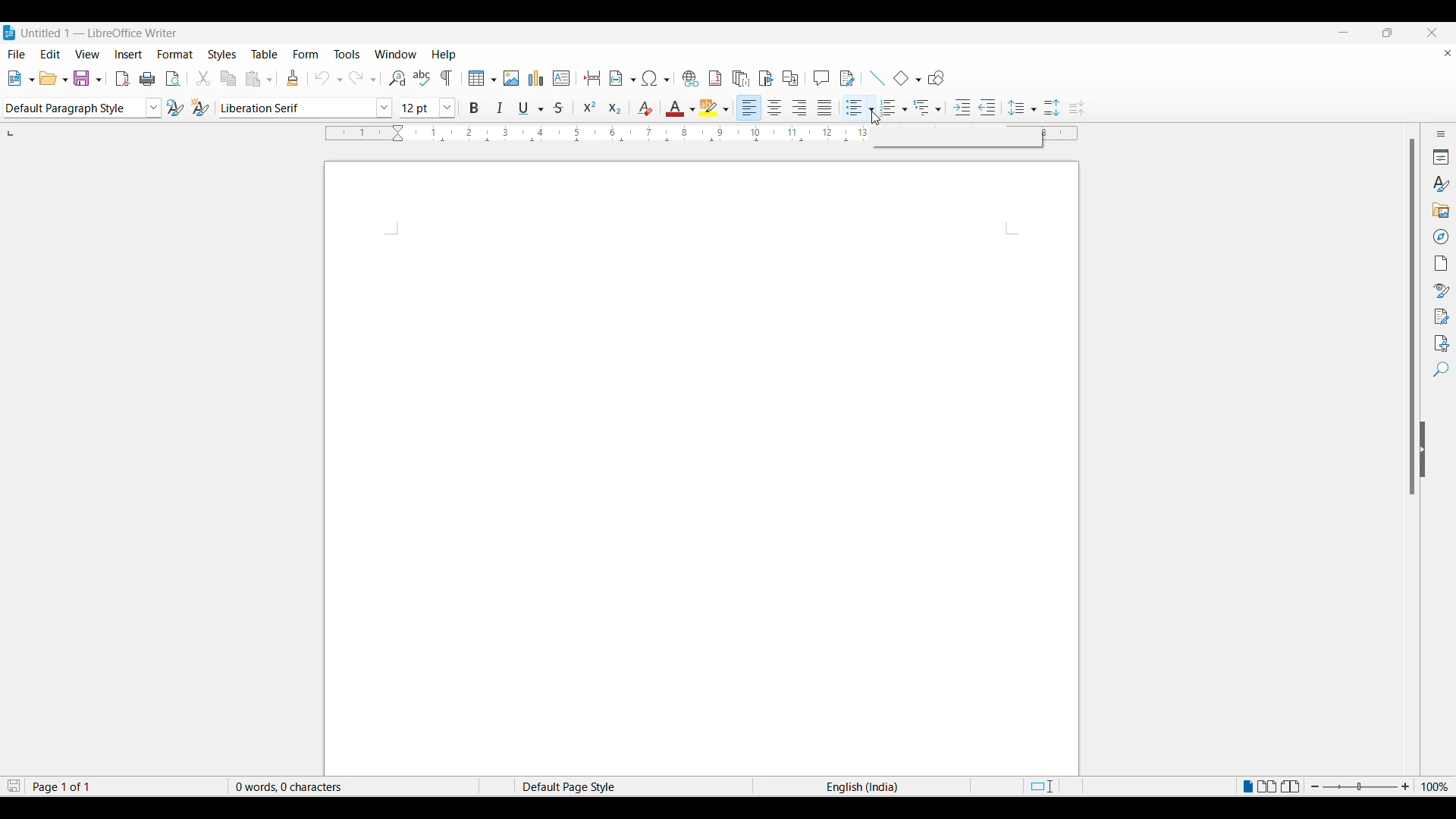 Image resolution: width=1456 pixels, height=819 pixels. What do you see at coordinates (563, 108) in the screenshot?
I see `strike though` at bounding box center [563, 108].